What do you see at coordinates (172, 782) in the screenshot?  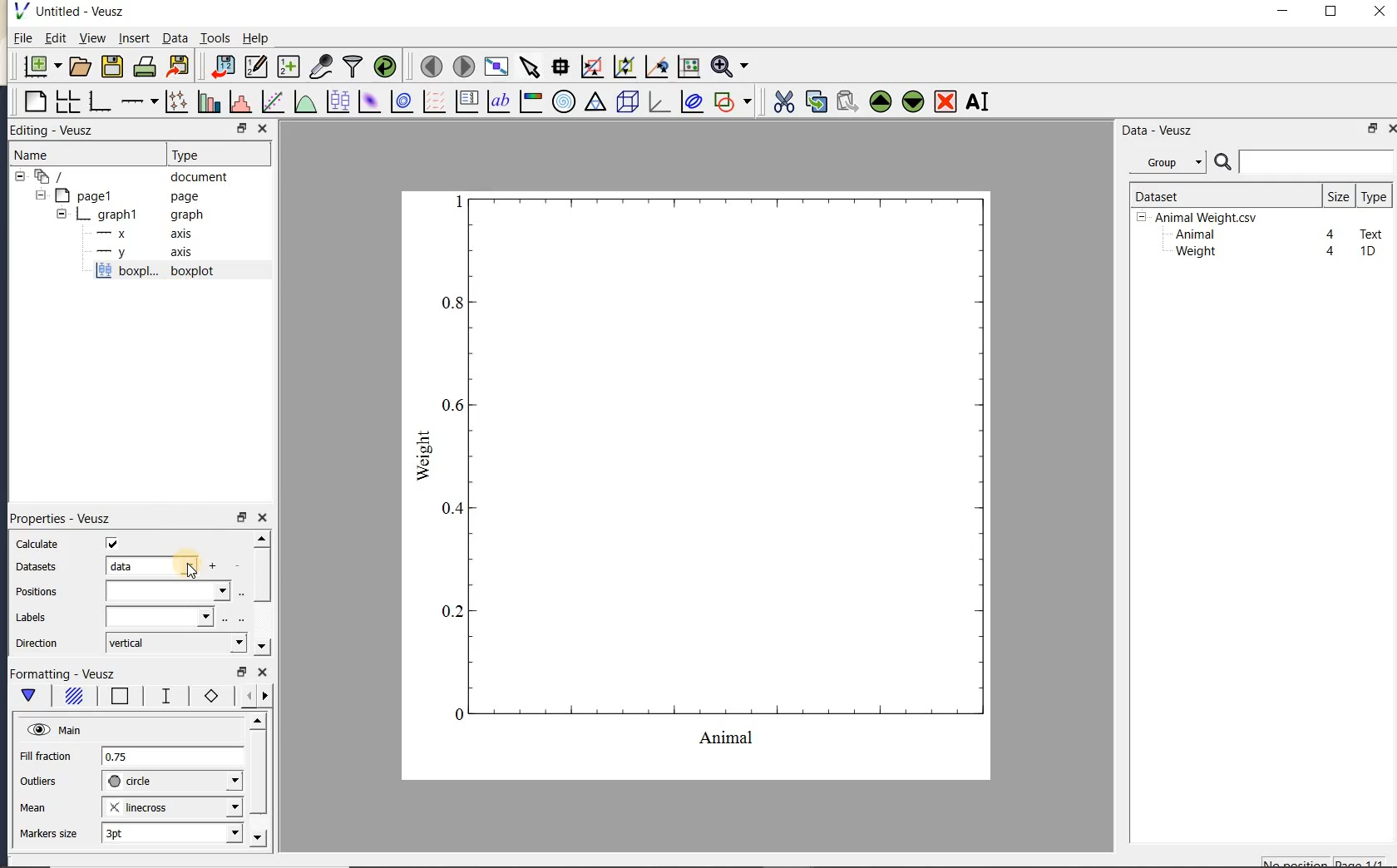 I see `circle` at bounding box center [172, 782].